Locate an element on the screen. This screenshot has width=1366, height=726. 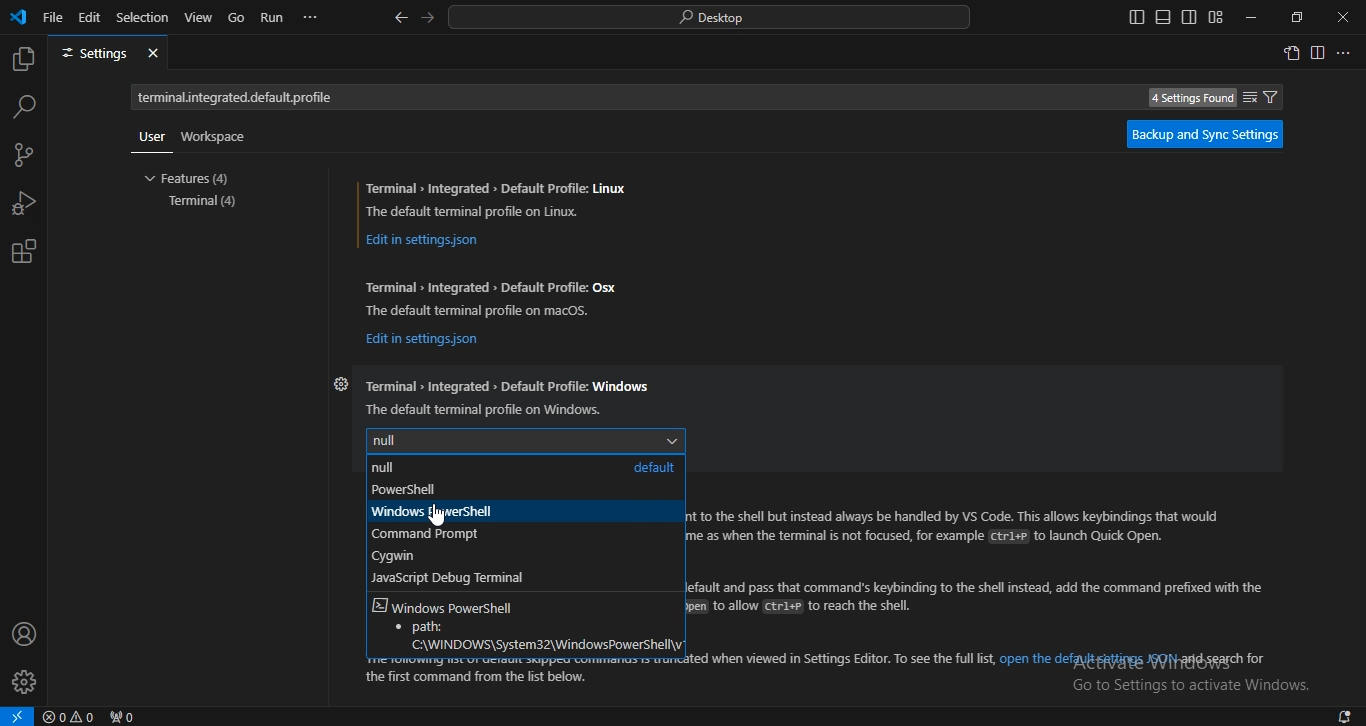
search is located at coordinates (26, 108).